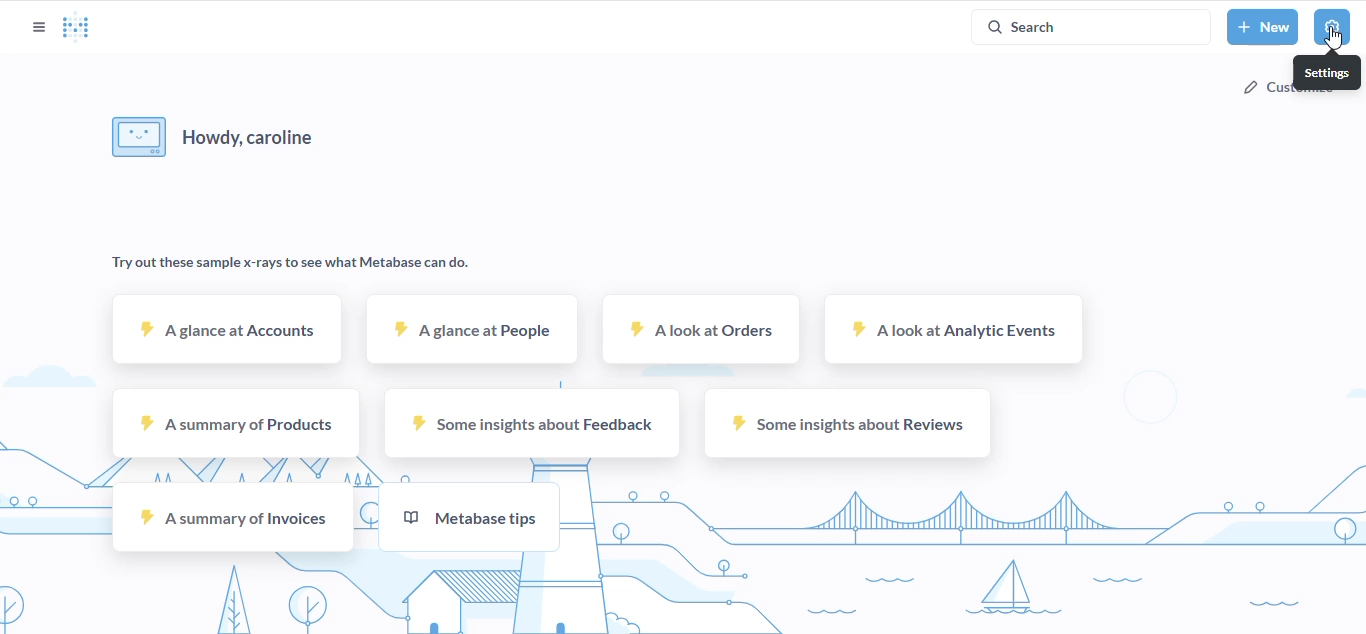 The image size is (1366, 634). I want to click on logo, so click(76, 27).